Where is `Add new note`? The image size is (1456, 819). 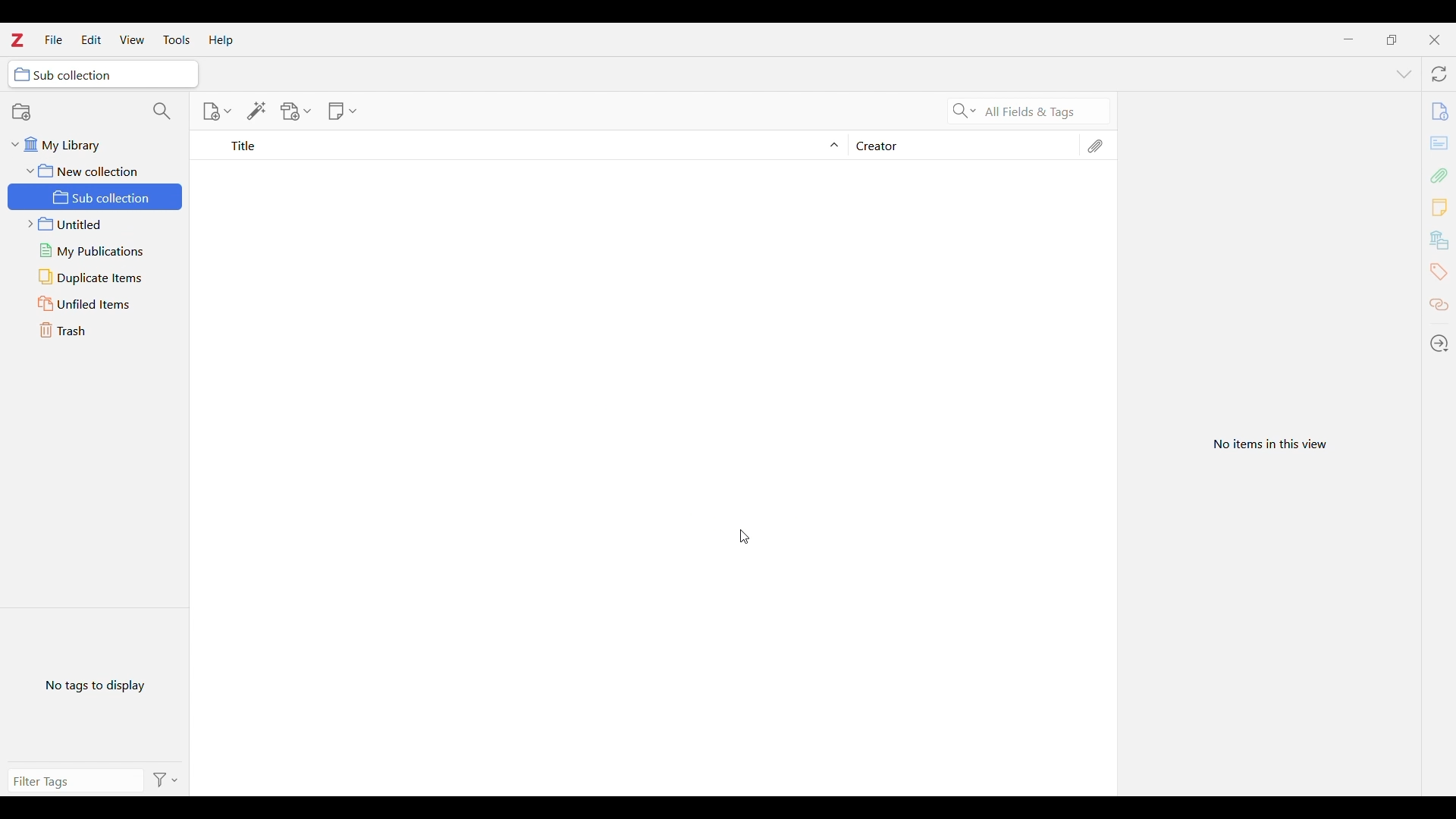
Add new note is located at coordinates (1439, 207).